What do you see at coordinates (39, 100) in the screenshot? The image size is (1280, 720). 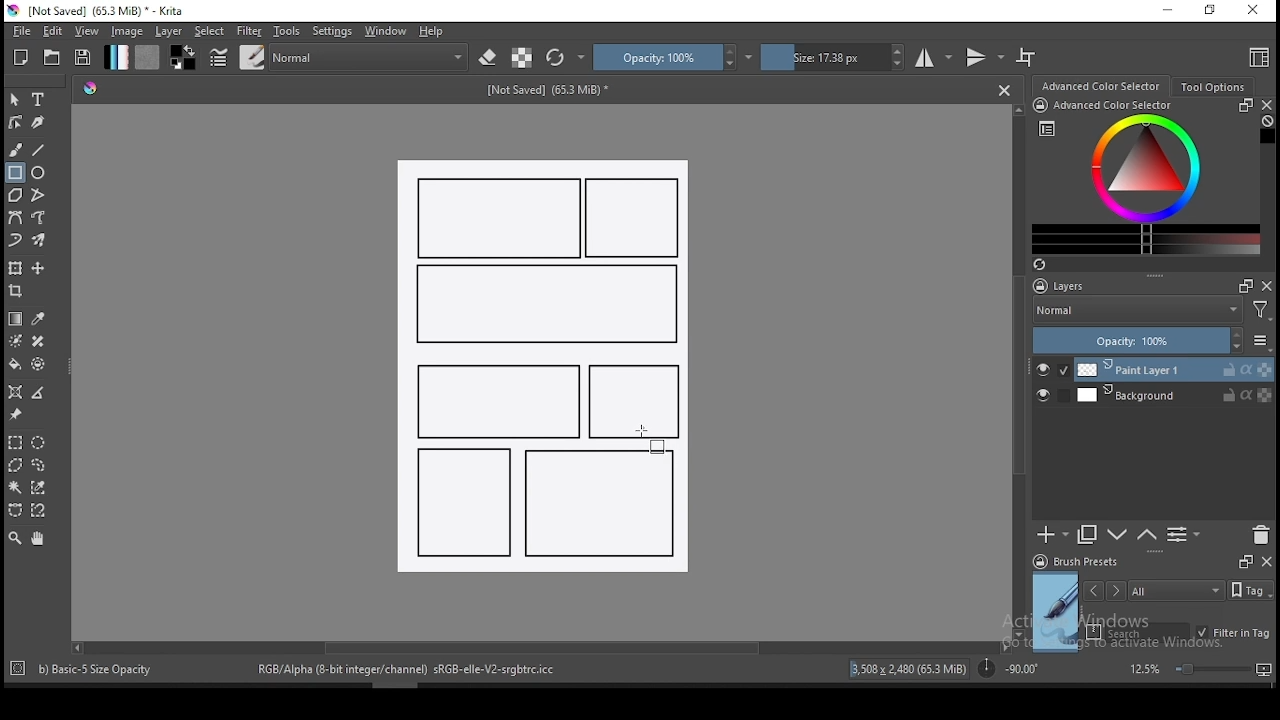 I see `text tool` at bounding box center [39, 100].